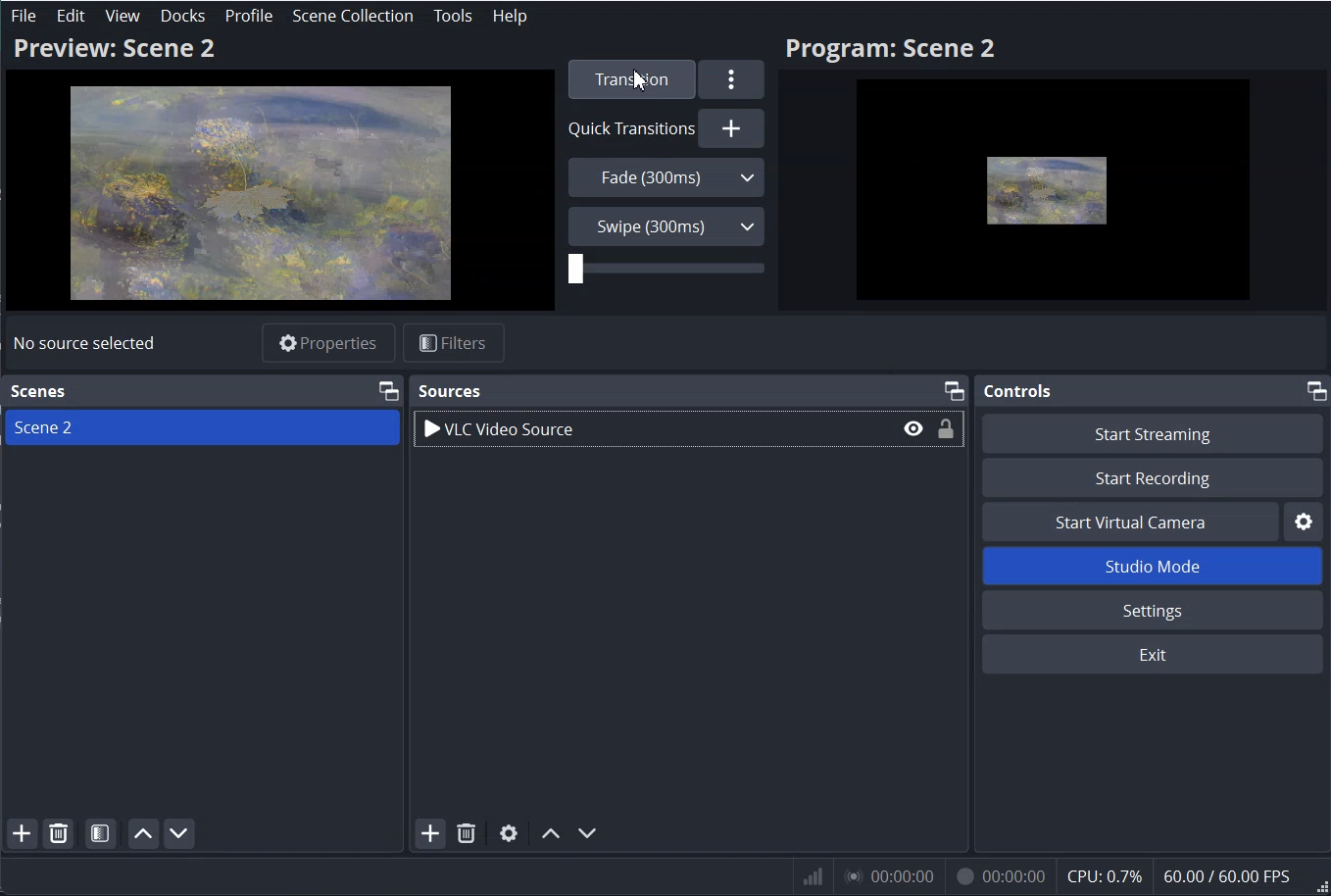 This screenshot has width=1331, height=896. What do you see at coordinates (465, 833) in the screenshot?
I see `Remove Selected Source` at bounding box center [465, 833].